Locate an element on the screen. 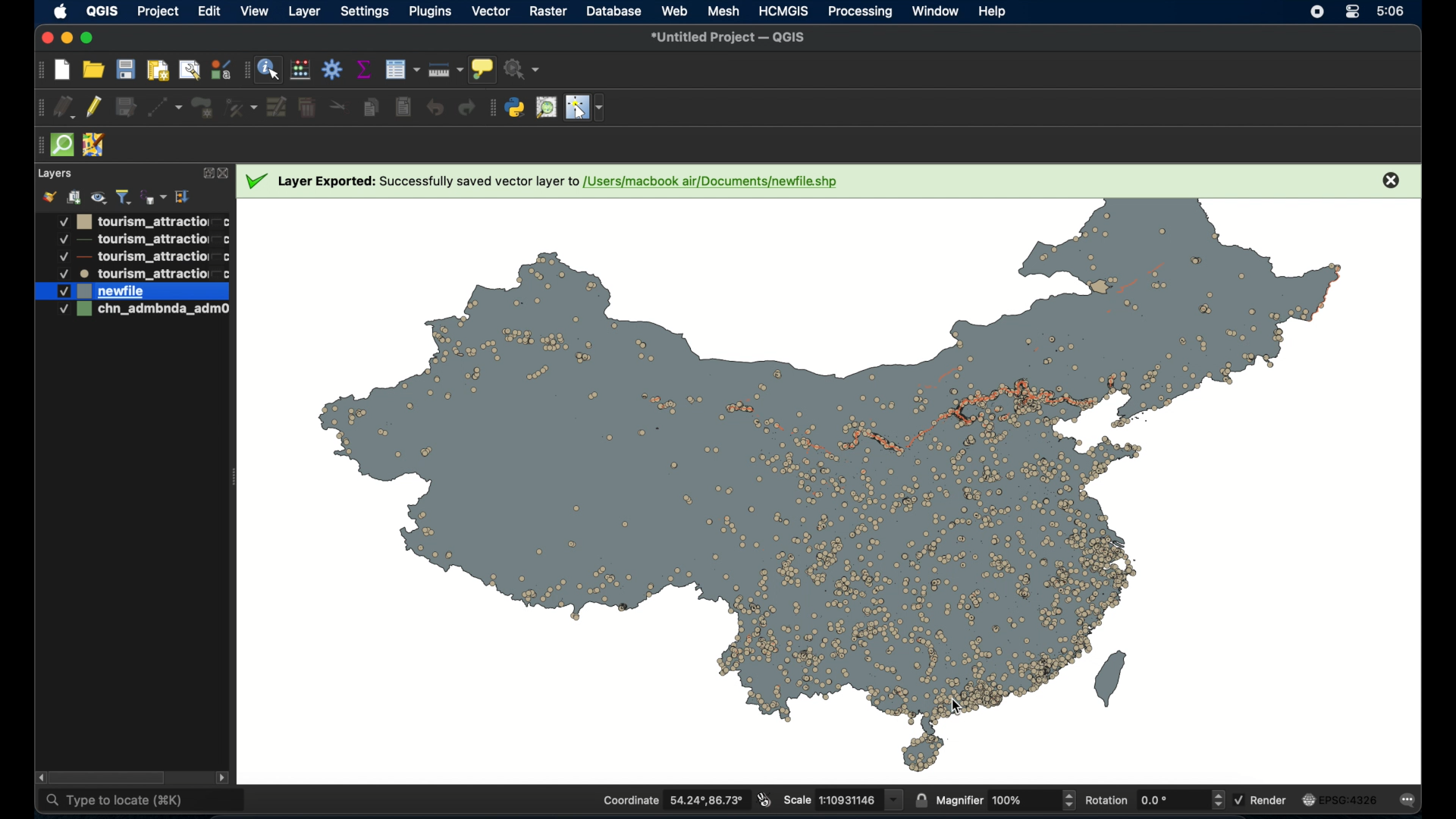 This screenshot has width=1456, height=819. undo is located at coordinates (435, 108).